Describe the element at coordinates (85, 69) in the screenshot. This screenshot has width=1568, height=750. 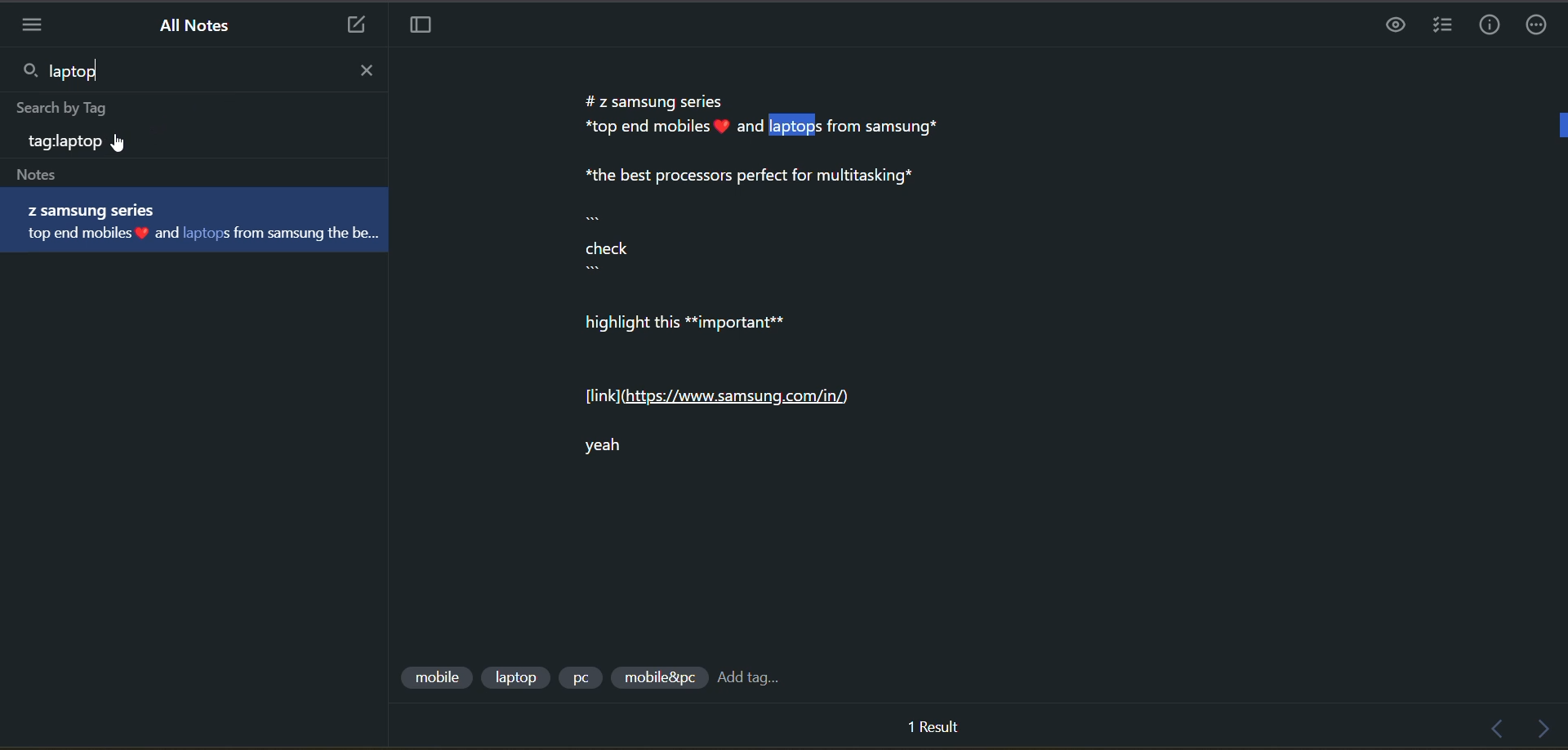
I see ` laptop` at that location.